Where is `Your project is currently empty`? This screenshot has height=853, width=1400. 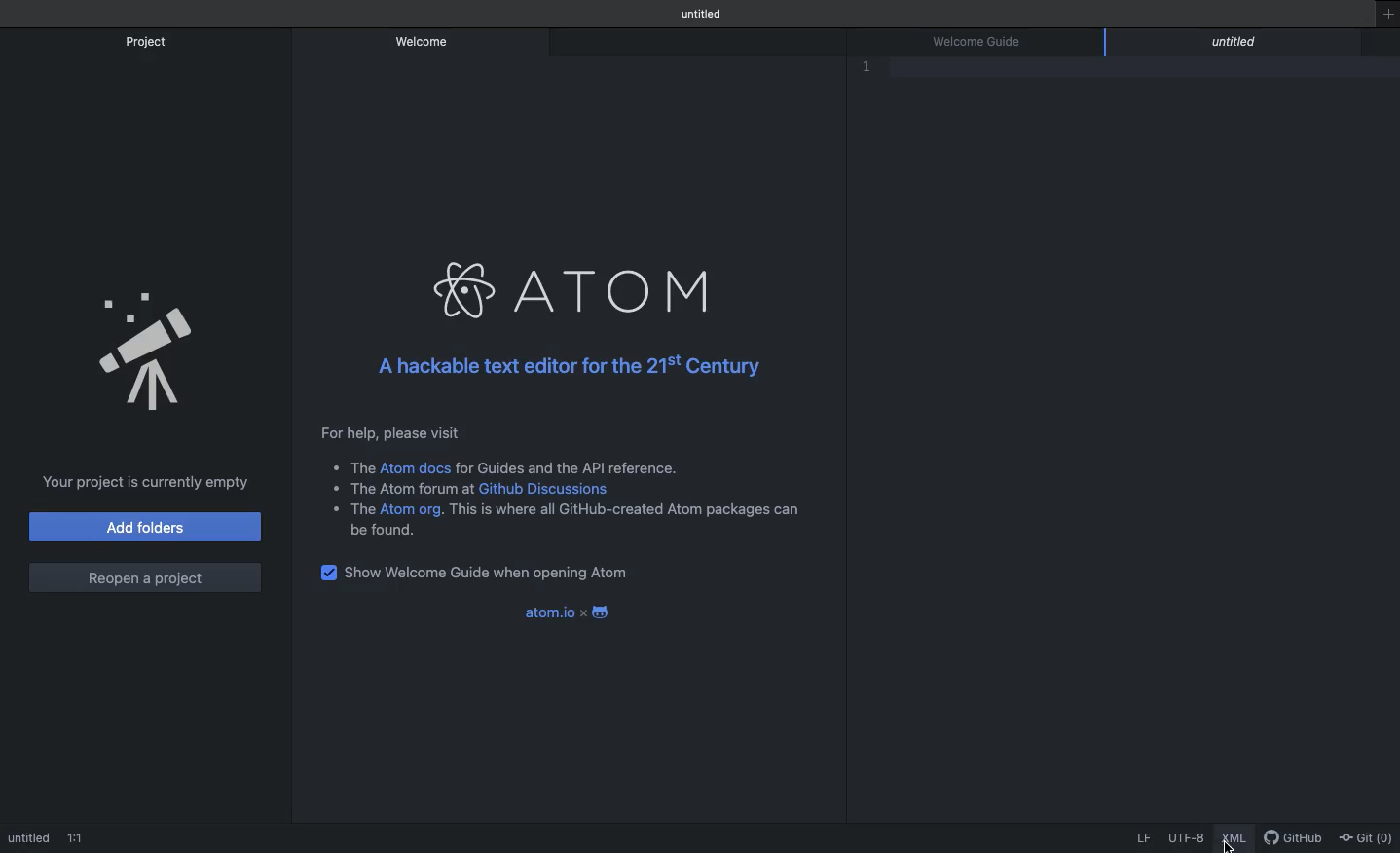
Your project is currently empty is located at coordinates (136, 483).